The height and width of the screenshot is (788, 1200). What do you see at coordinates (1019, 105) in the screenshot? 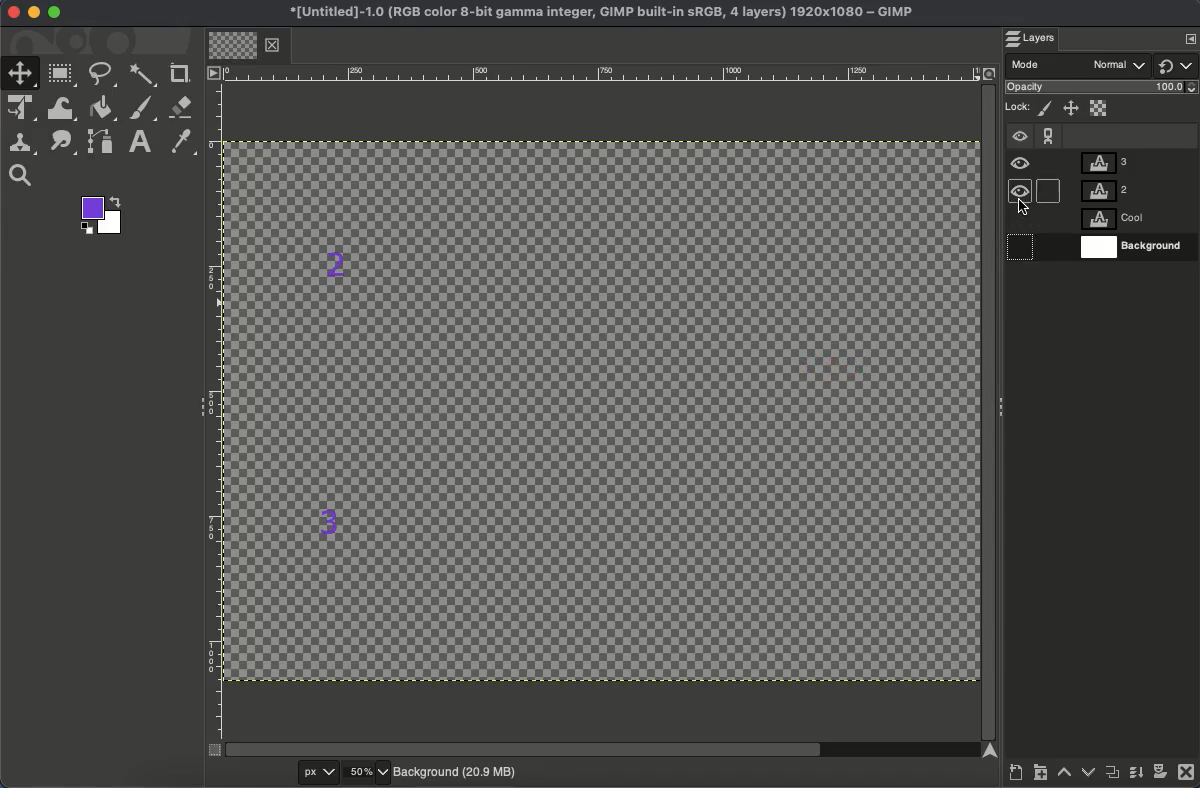
I see `Lock` at bounding box center [1019, 105].